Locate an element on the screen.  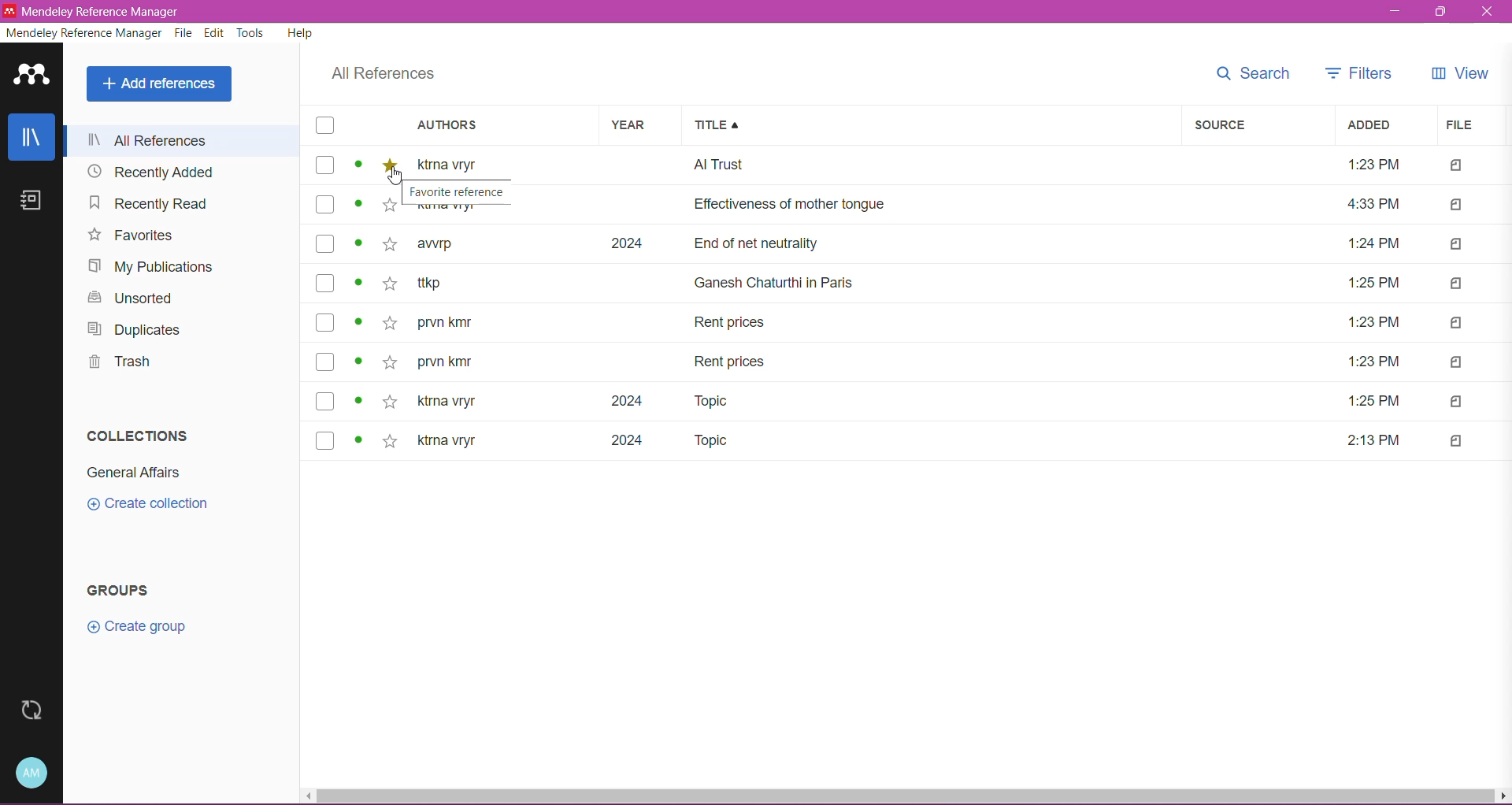
Account and Help is located at coordinates (31, 772).